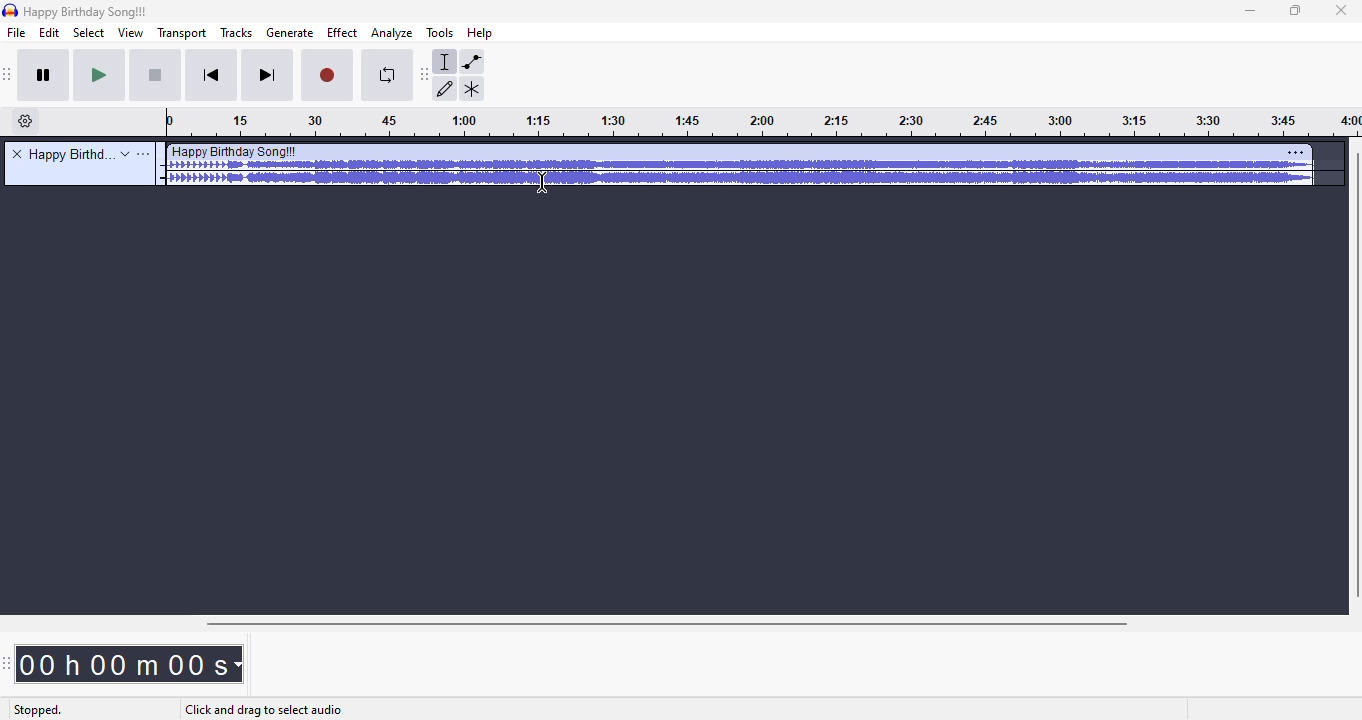  What do you see at coordinates (1296, 152) in the screenshot?
I see `settings` at bounding box center [1296, 152].